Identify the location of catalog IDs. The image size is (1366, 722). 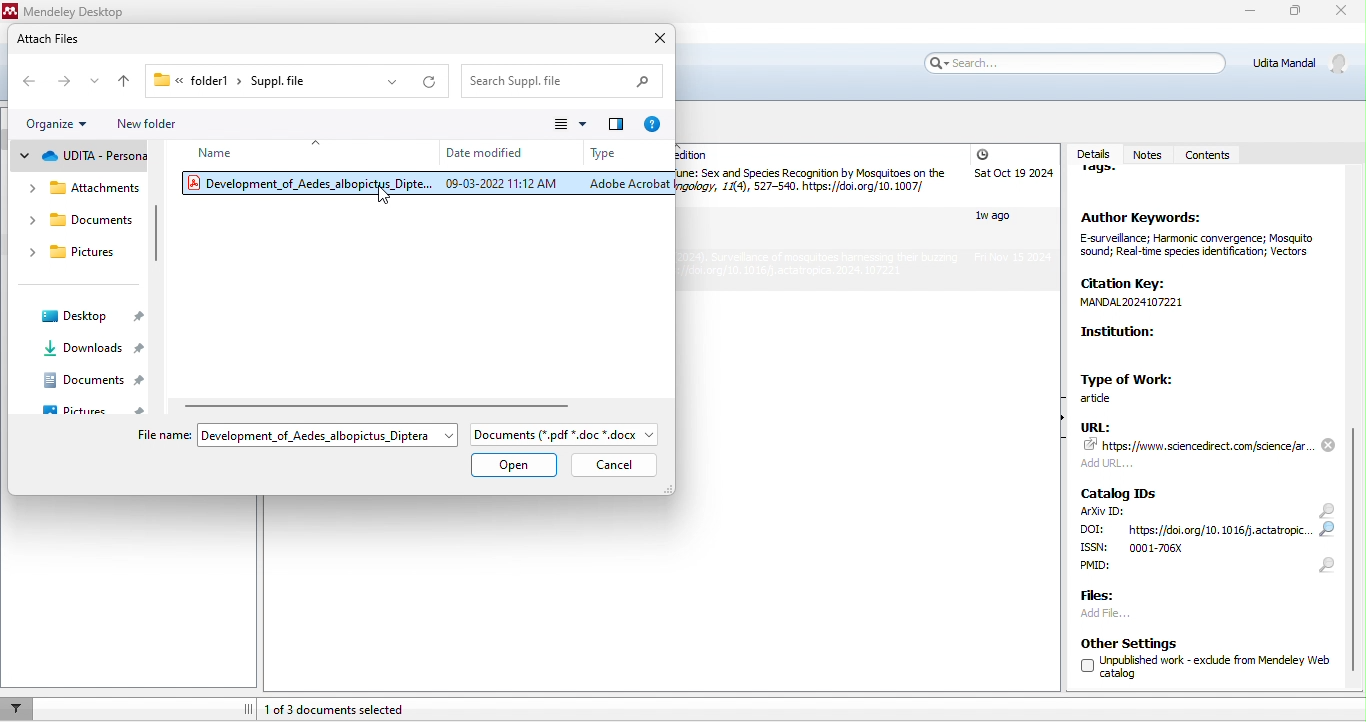
(1122, 492).